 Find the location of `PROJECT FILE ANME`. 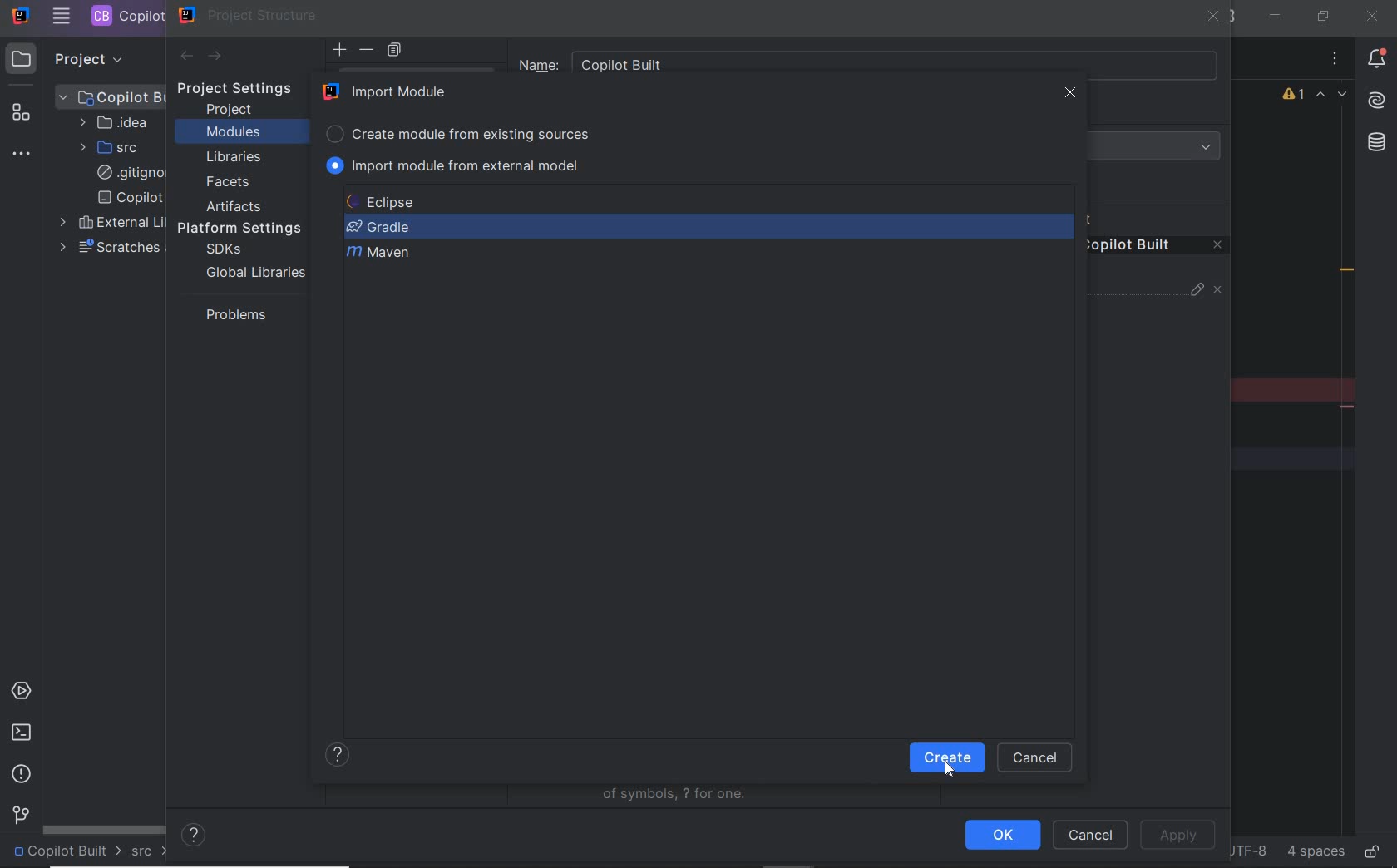

PROJECT FILE ANME is located at coordinates (112, 96).